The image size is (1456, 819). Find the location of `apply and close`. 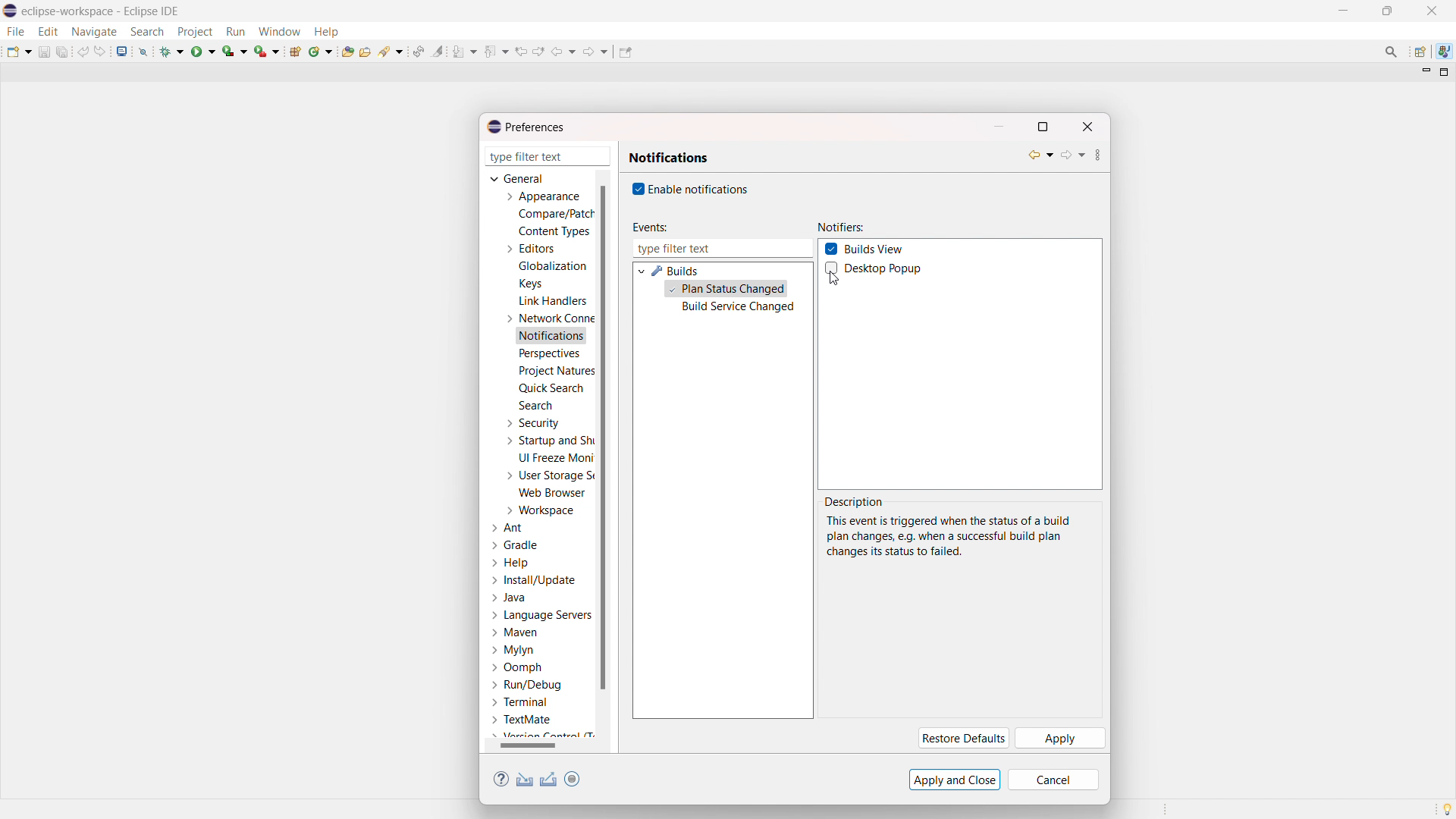

apply and close is located at coordinates (955, 780).